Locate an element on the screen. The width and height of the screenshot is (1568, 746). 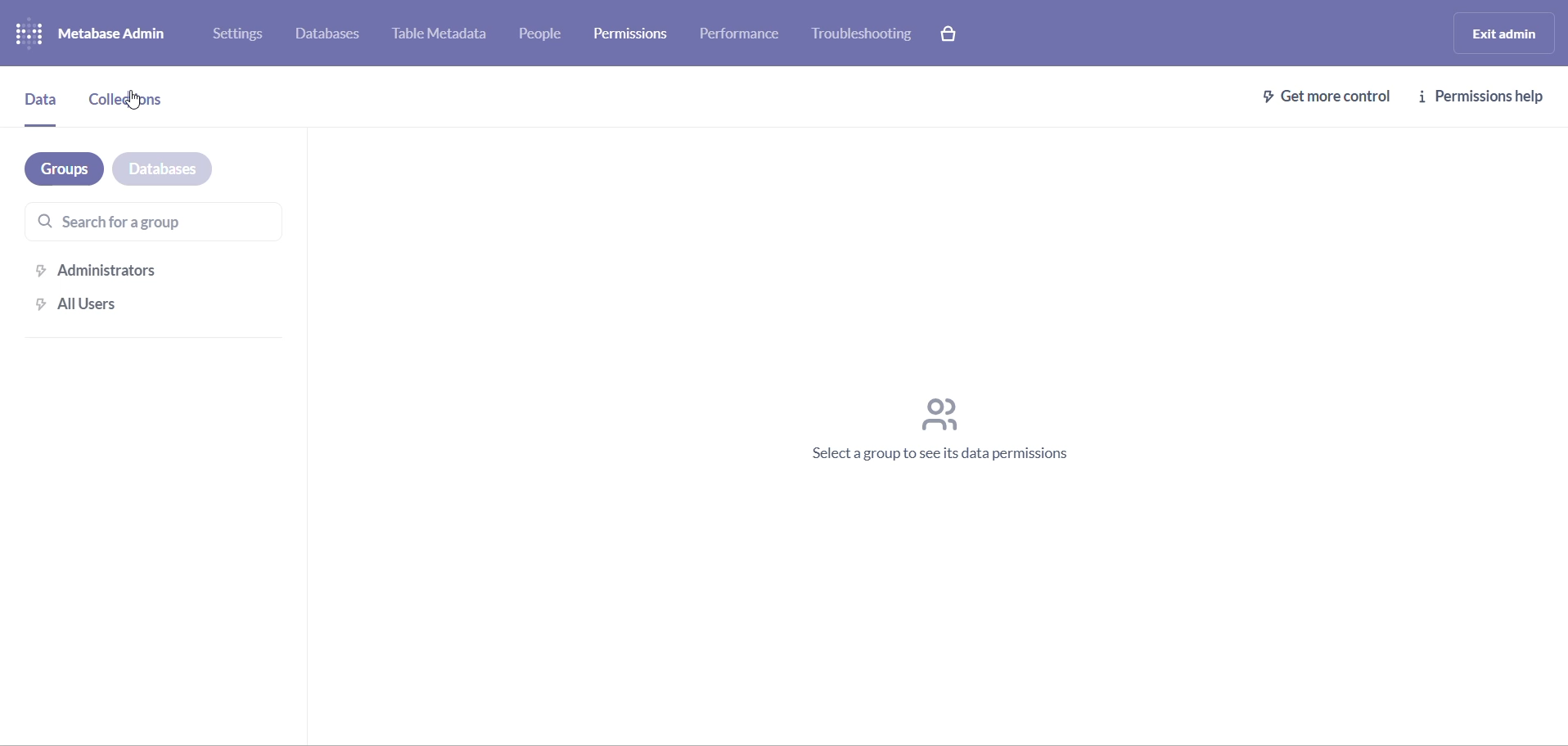
text is located at coordinates (956, 452).